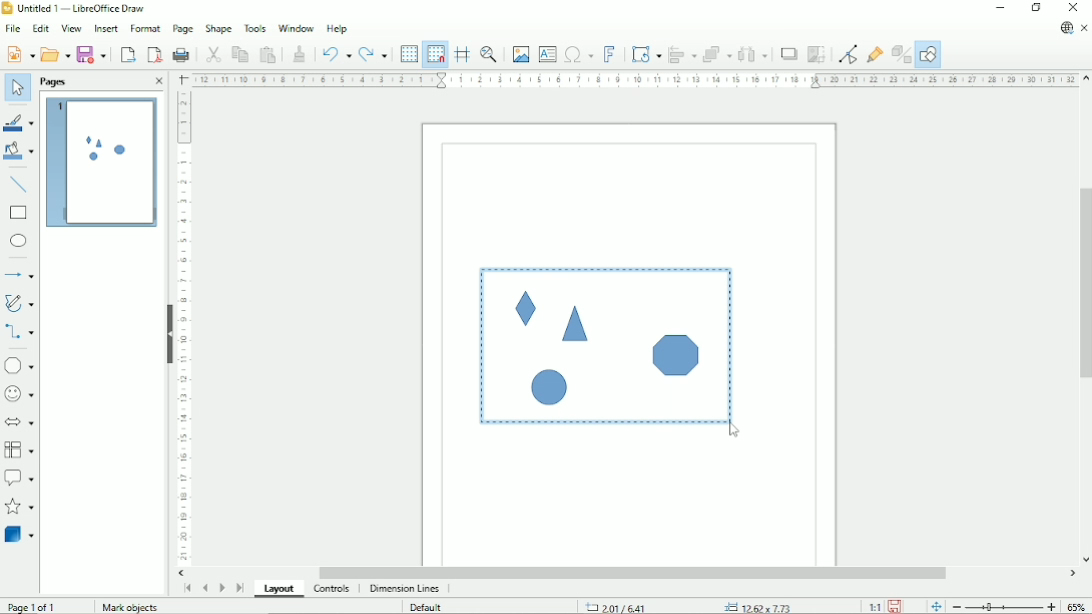  What do you see at coordinates (929, 53) in the screenshot?
I see `Show draw functions` at bounding box center [929, 53].